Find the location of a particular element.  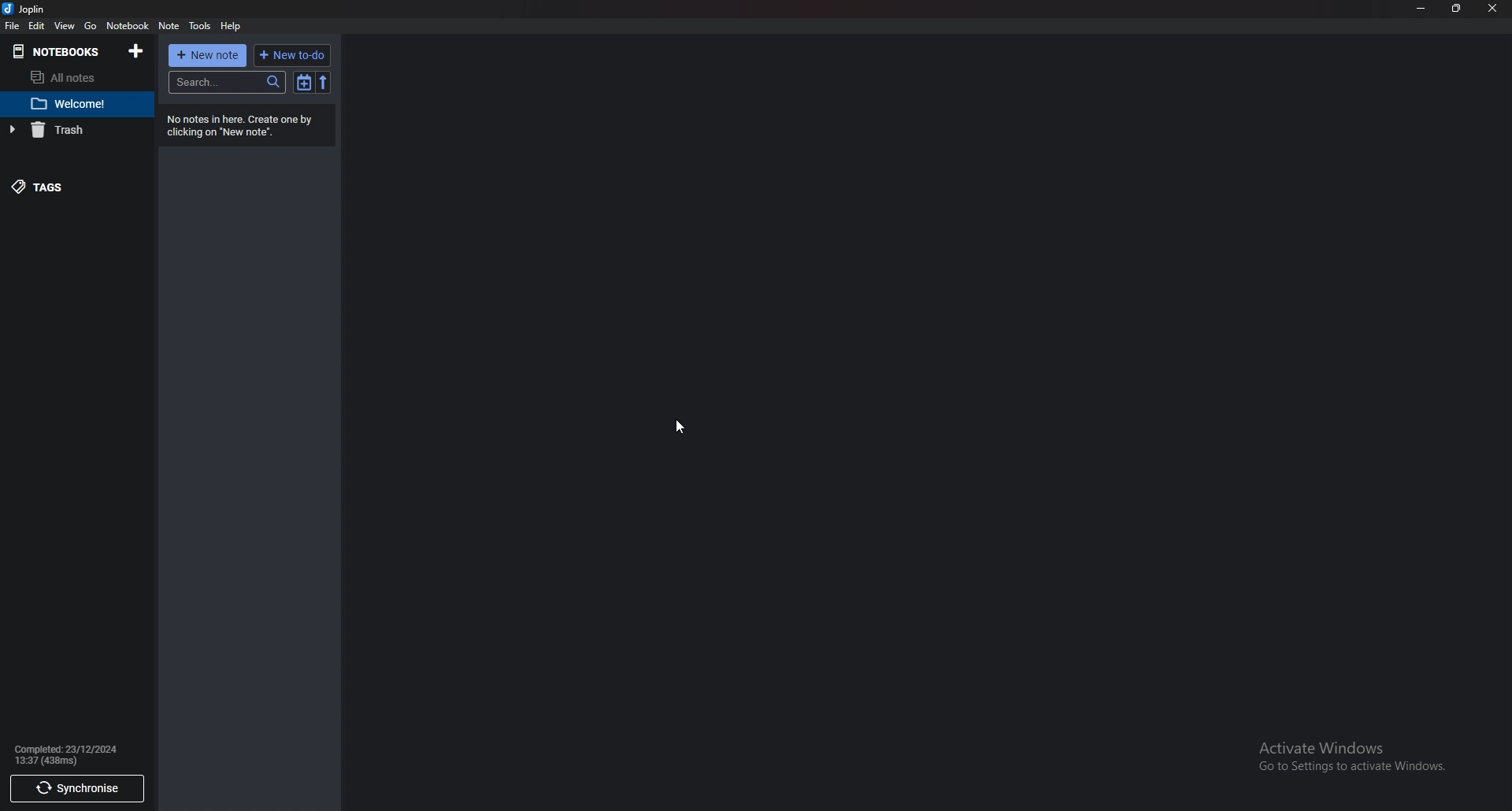

tools is located at coordinates (200, 26).